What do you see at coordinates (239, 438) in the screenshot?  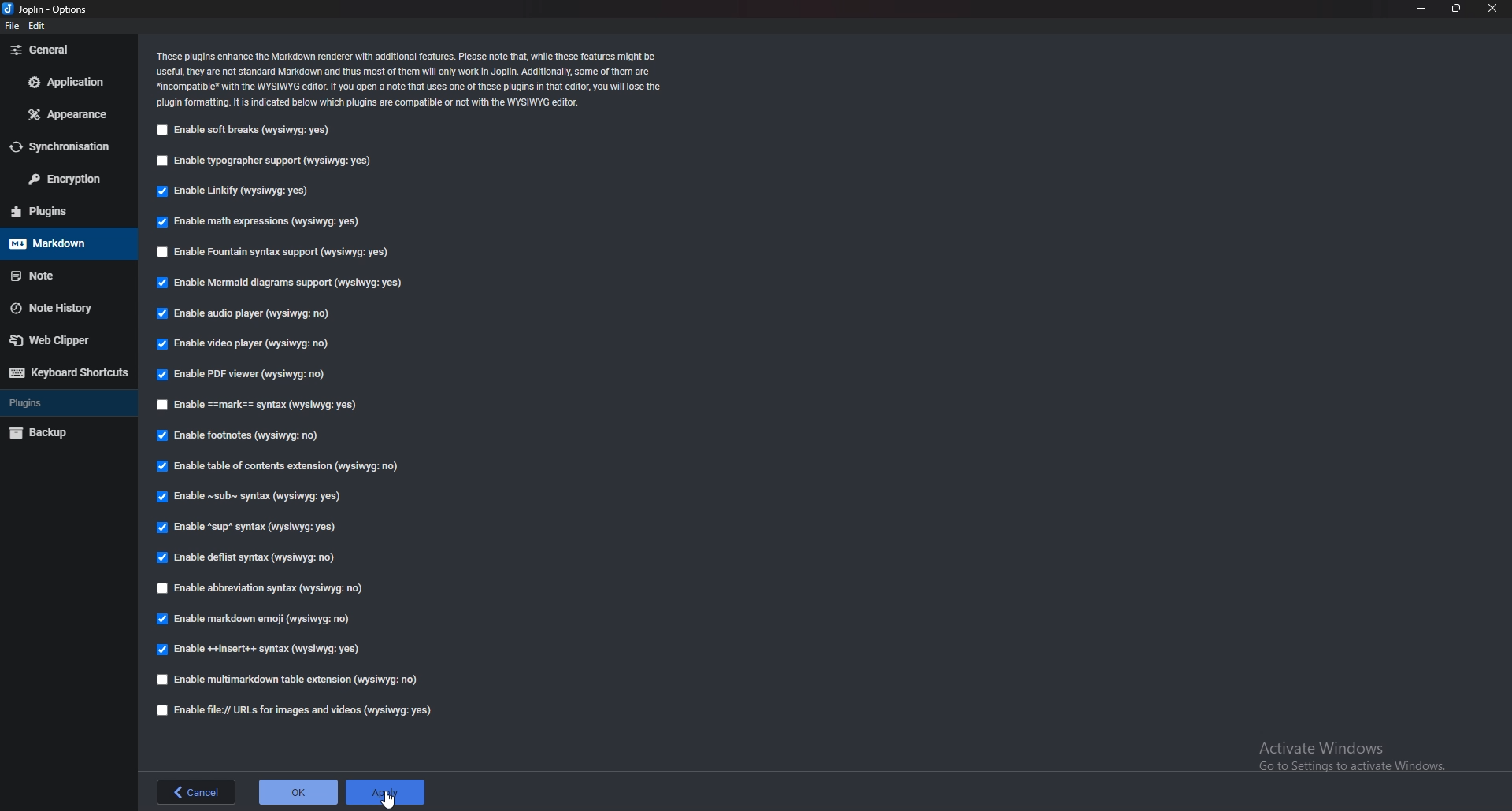 I see `Enable footnotes` at bounding box center [239, 438].